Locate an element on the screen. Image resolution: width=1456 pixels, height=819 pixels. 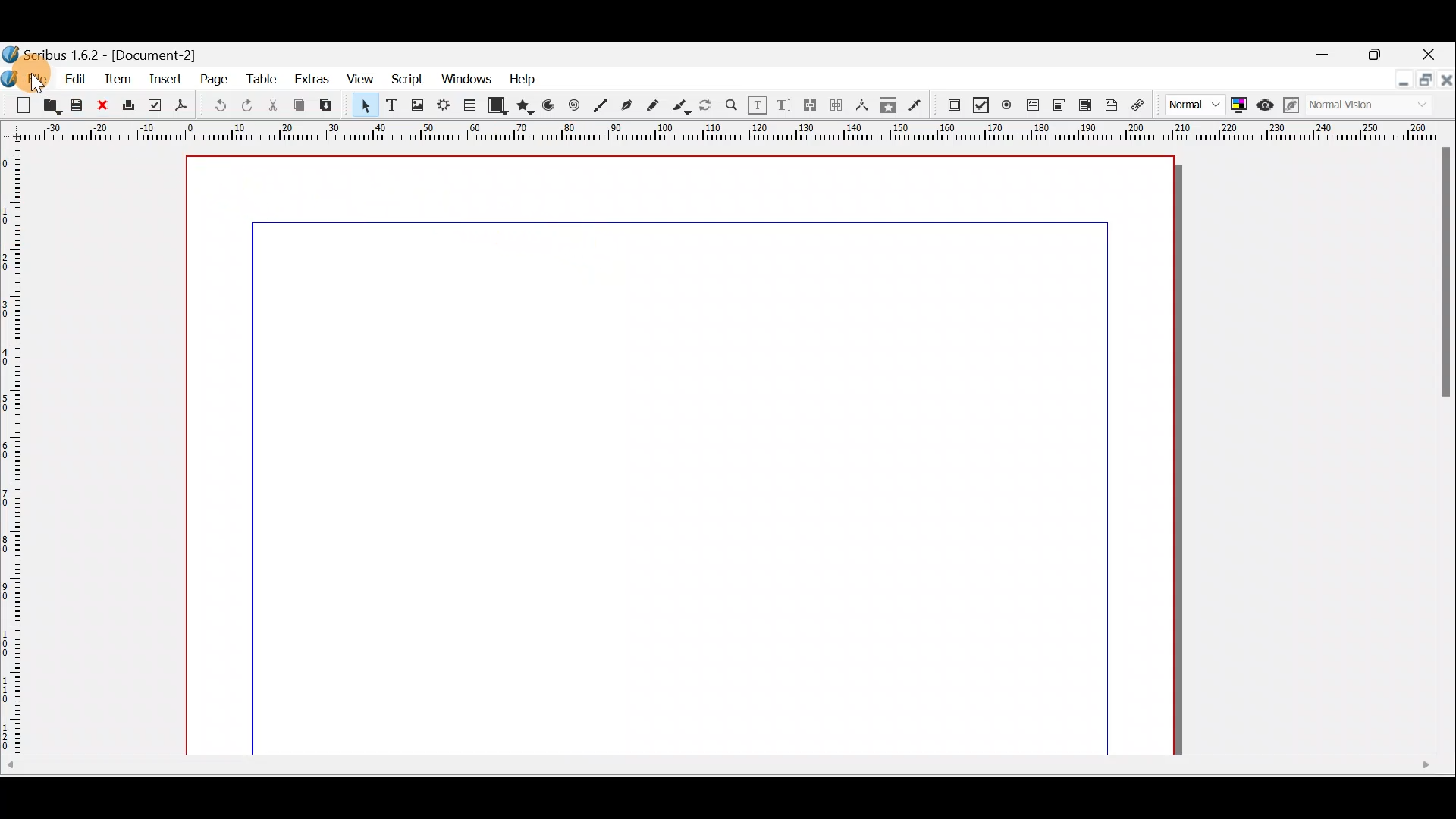
Scroll bar is located at coordinates (729, 767).